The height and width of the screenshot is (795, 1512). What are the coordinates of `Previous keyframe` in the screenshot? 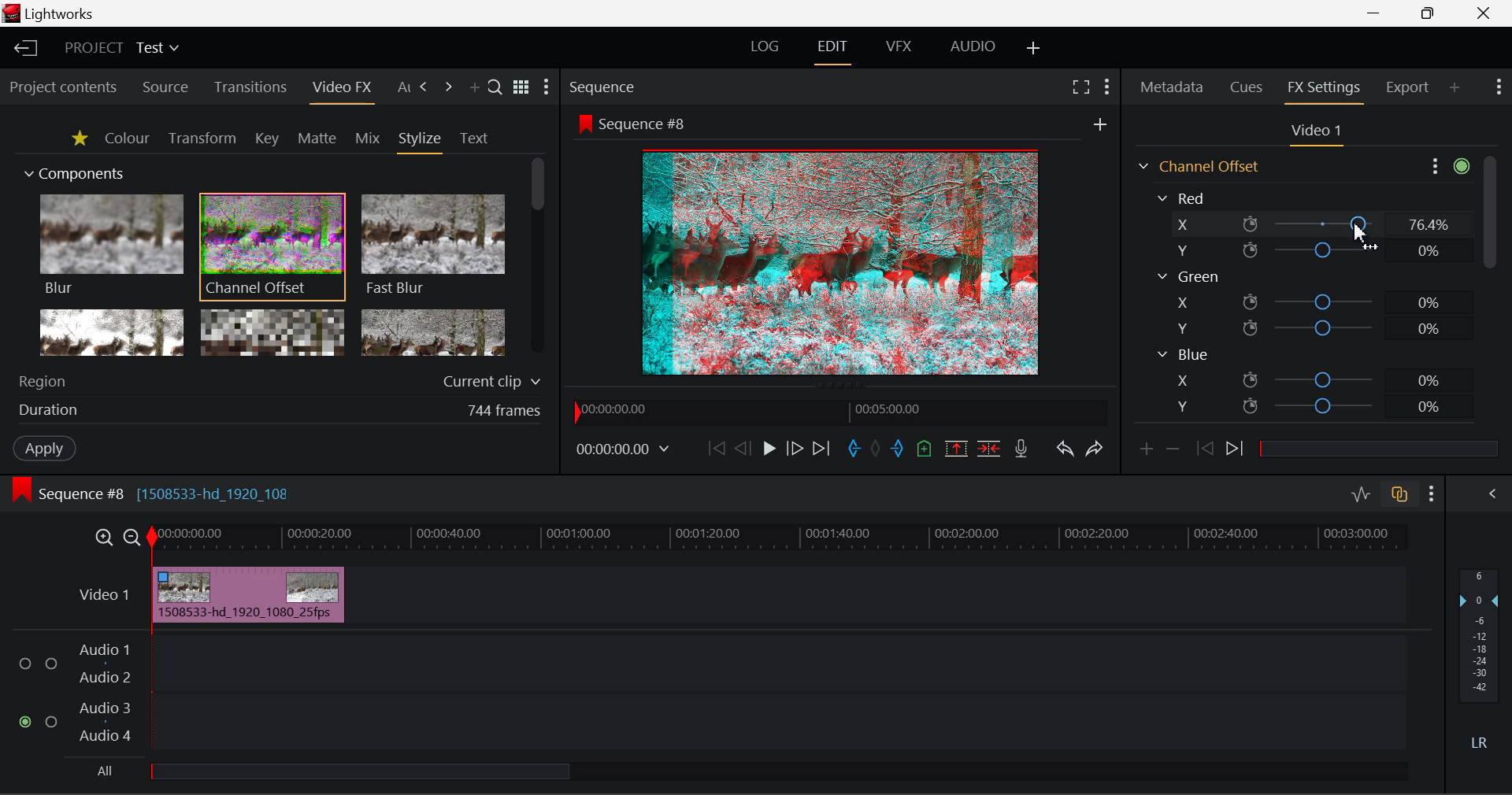 It's located at (1206, 449).